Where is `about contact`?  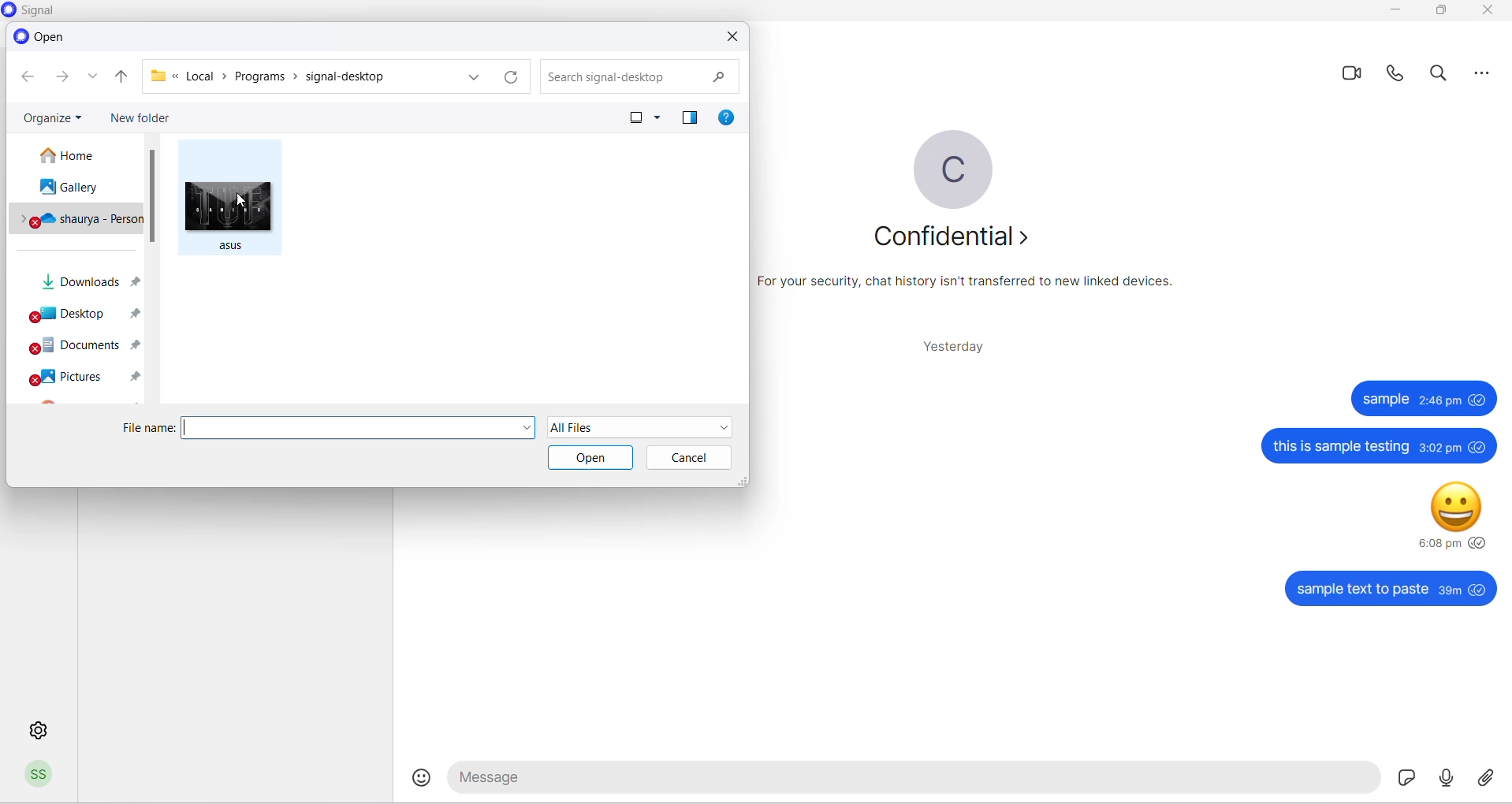 about contact is located at coordinates (950, 236).